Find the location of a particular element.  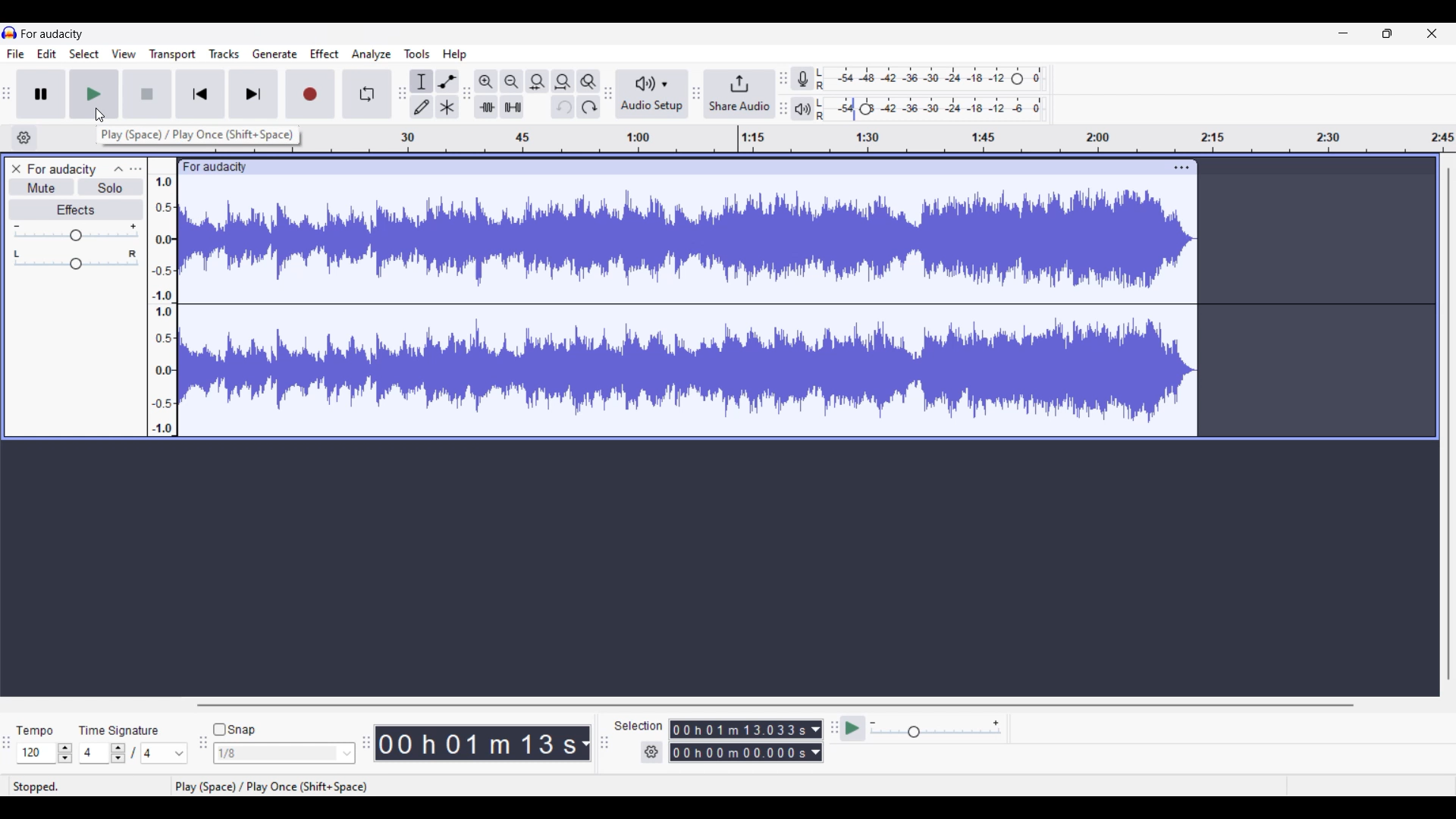

Analyze menu is located at coordinates (372, 54).